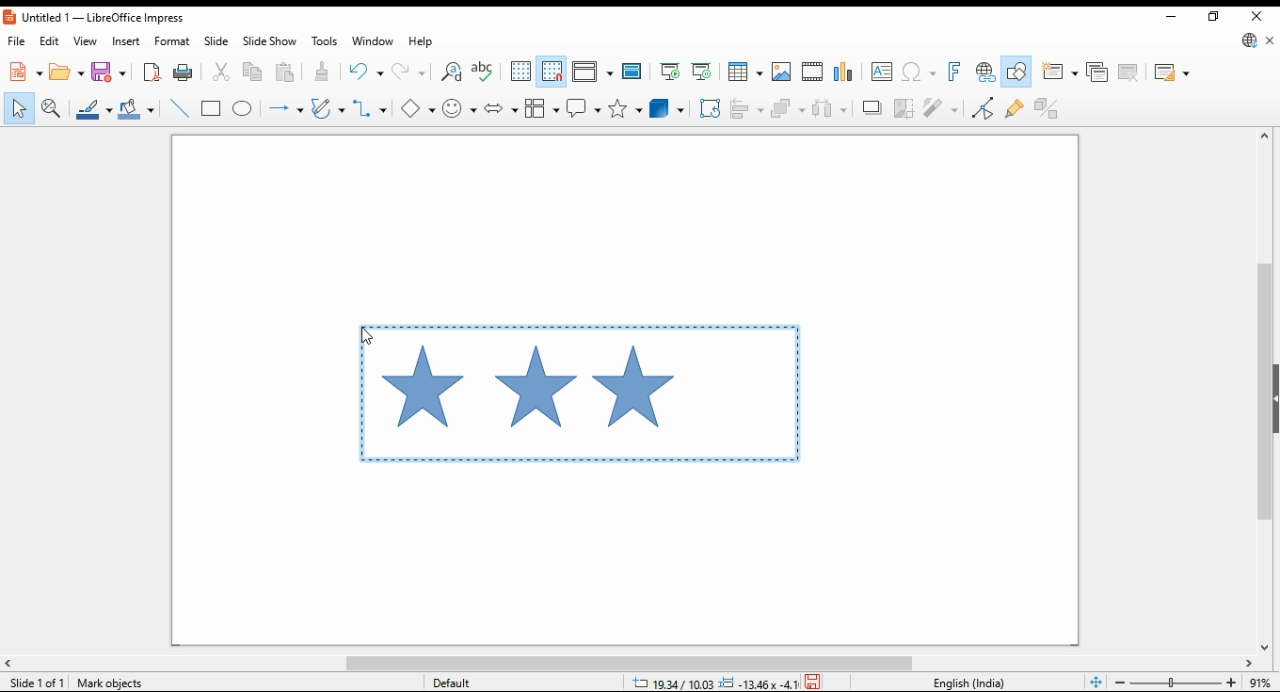 This screenshot has width=1280, height=692. Describe the element at coordinates (1016, 107) in the screenshot. I see `show gluepoint functions` at that location.